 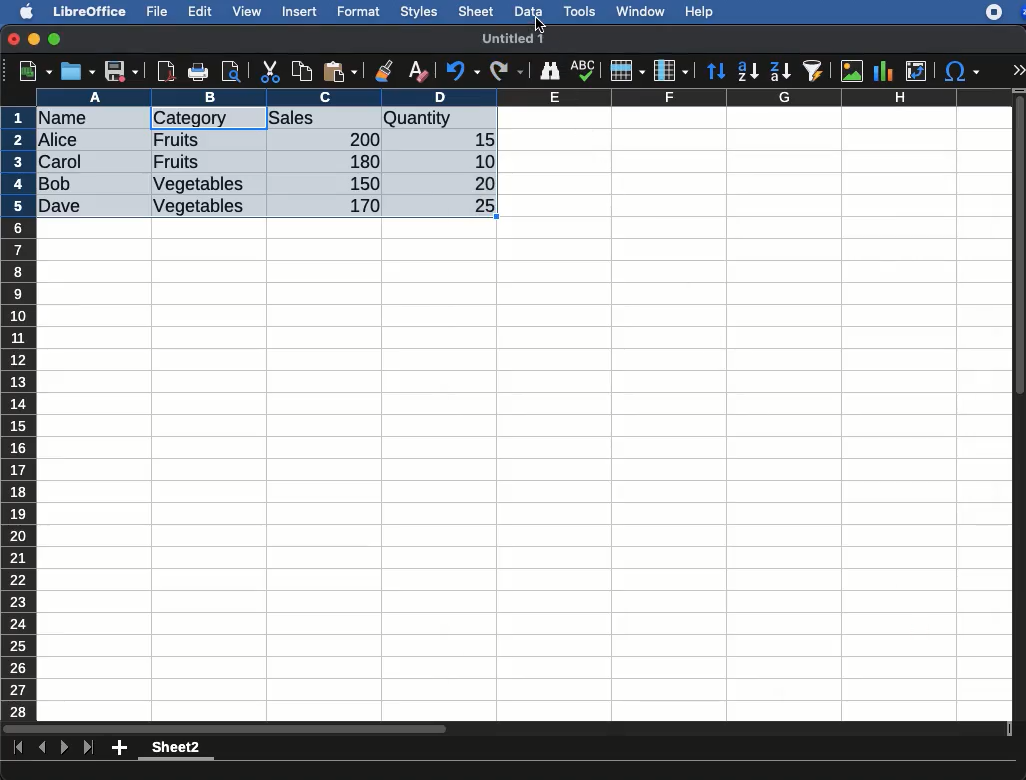 I want to click on first sheet, so click(x=20, y=748).